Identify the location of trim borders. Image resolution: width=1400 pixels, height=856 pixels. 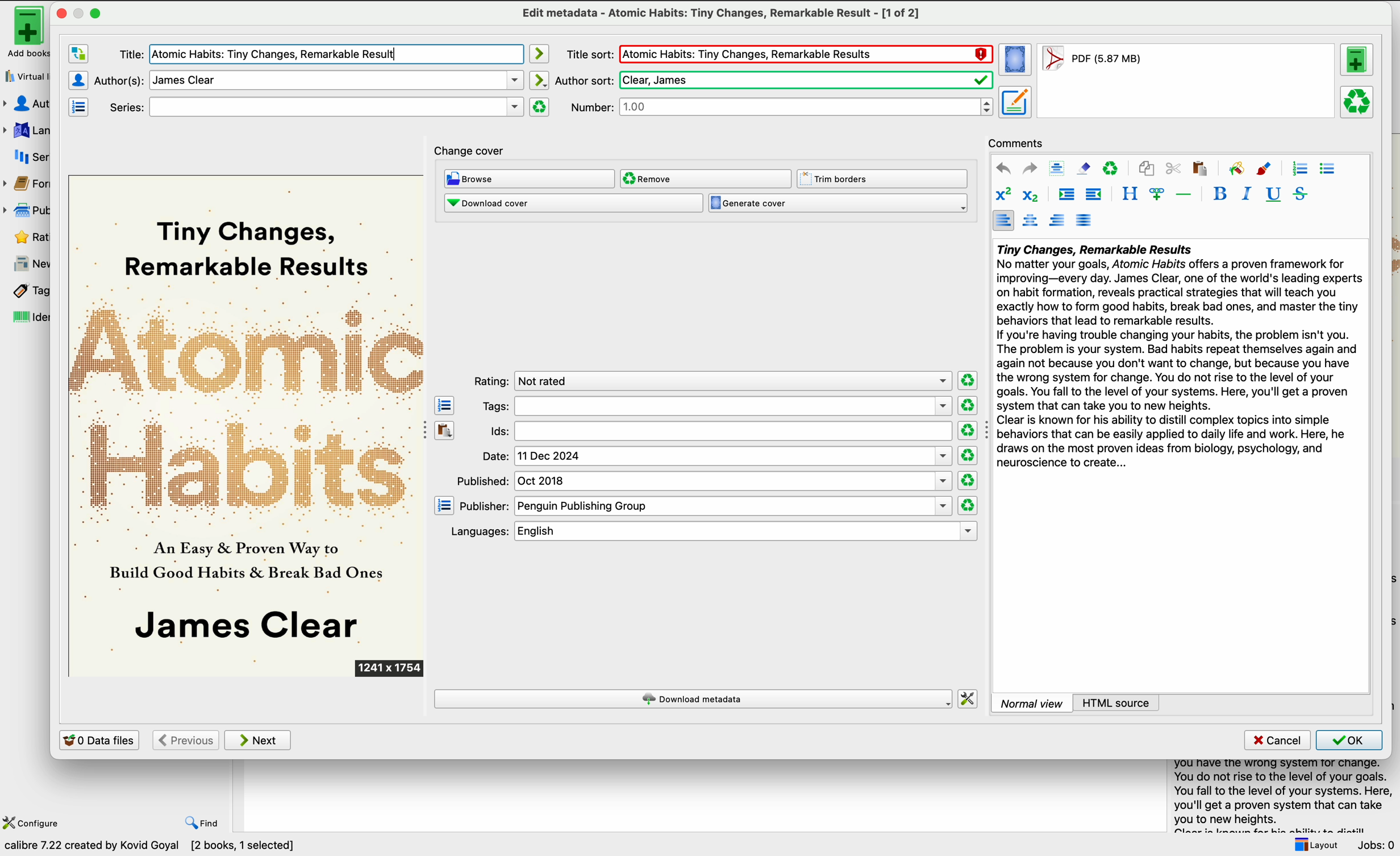
(884, 178).